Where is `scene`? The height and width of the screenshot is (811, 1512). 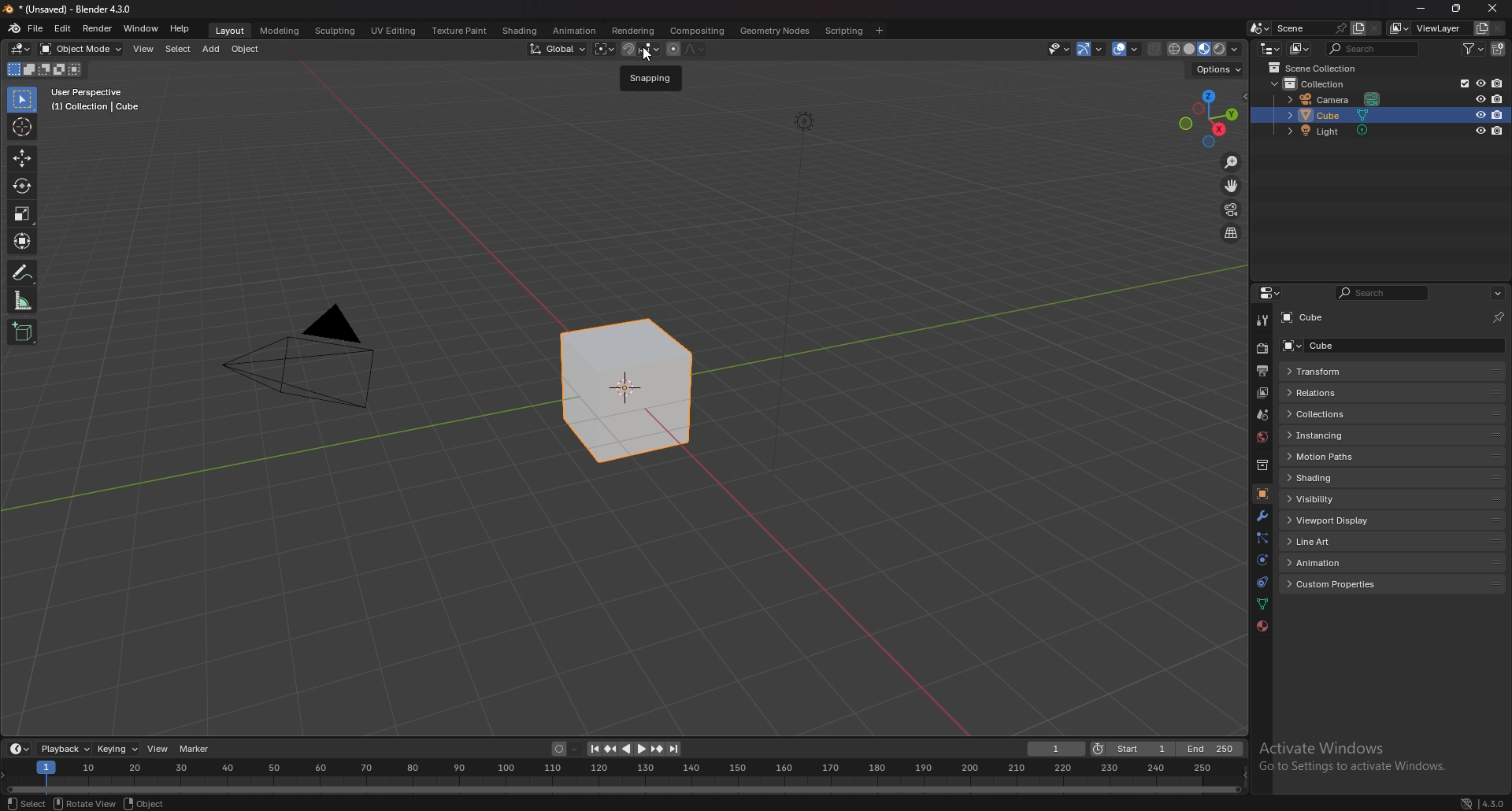 scene is located at coordinates (1310, 28).